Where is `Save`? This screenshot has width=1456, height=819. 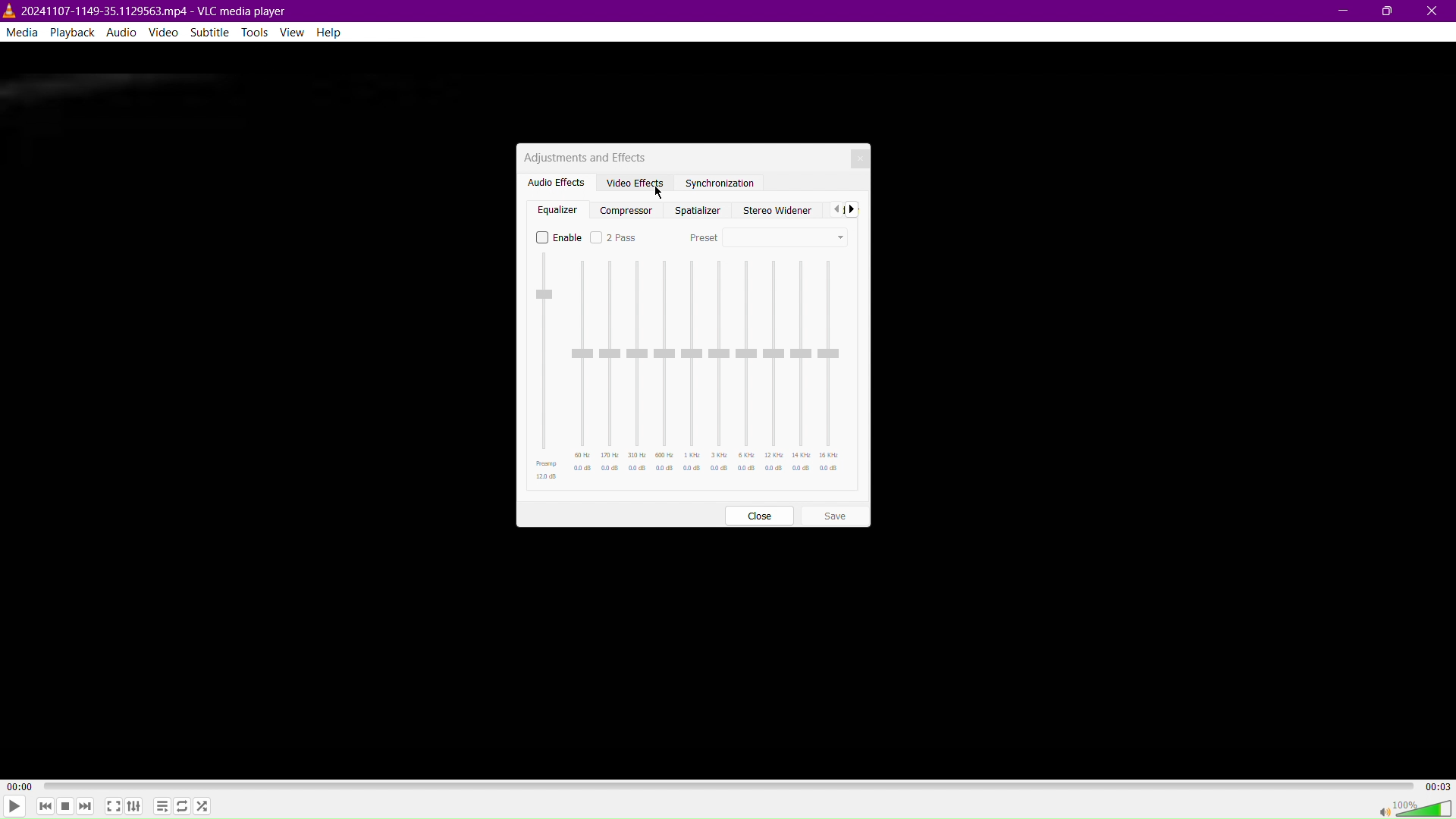 Save is located at coordinates (834, 514).